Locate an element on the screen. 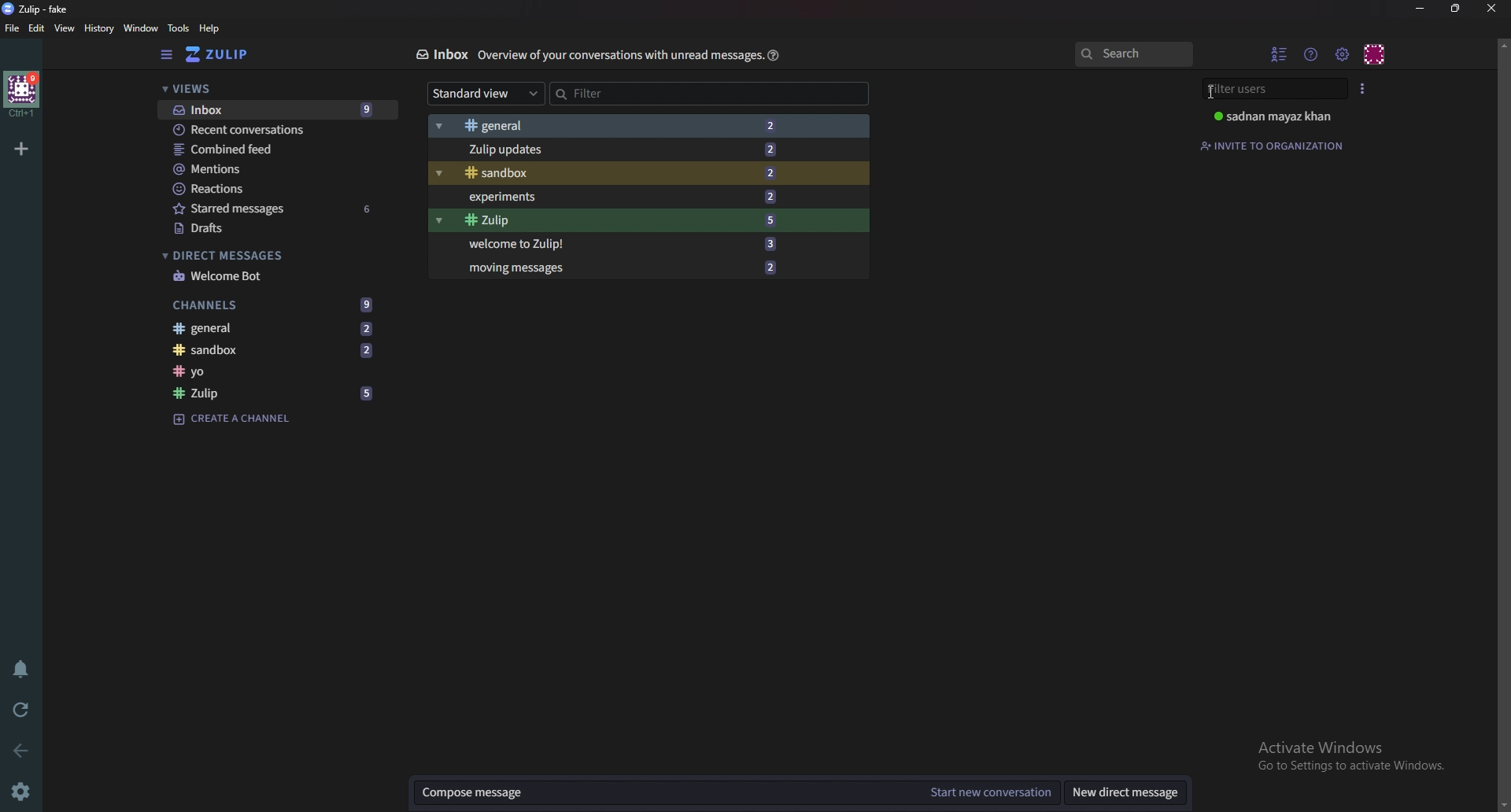 The height and width of the screenshot is (812, 1511). General is located at coordinates (615, 127).